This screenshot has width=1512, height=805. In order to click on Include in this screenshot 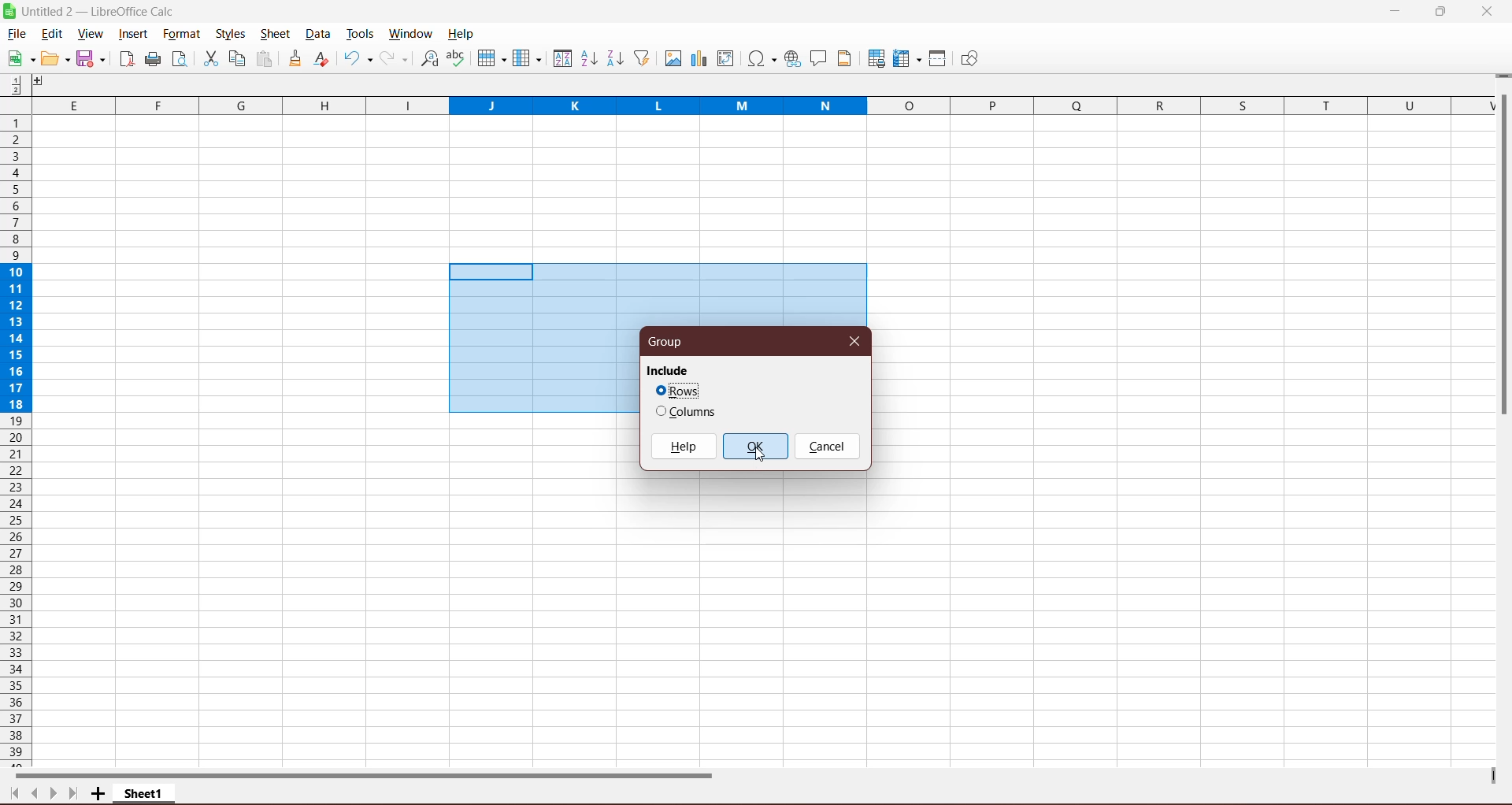, I will do `click(669, 369)`.